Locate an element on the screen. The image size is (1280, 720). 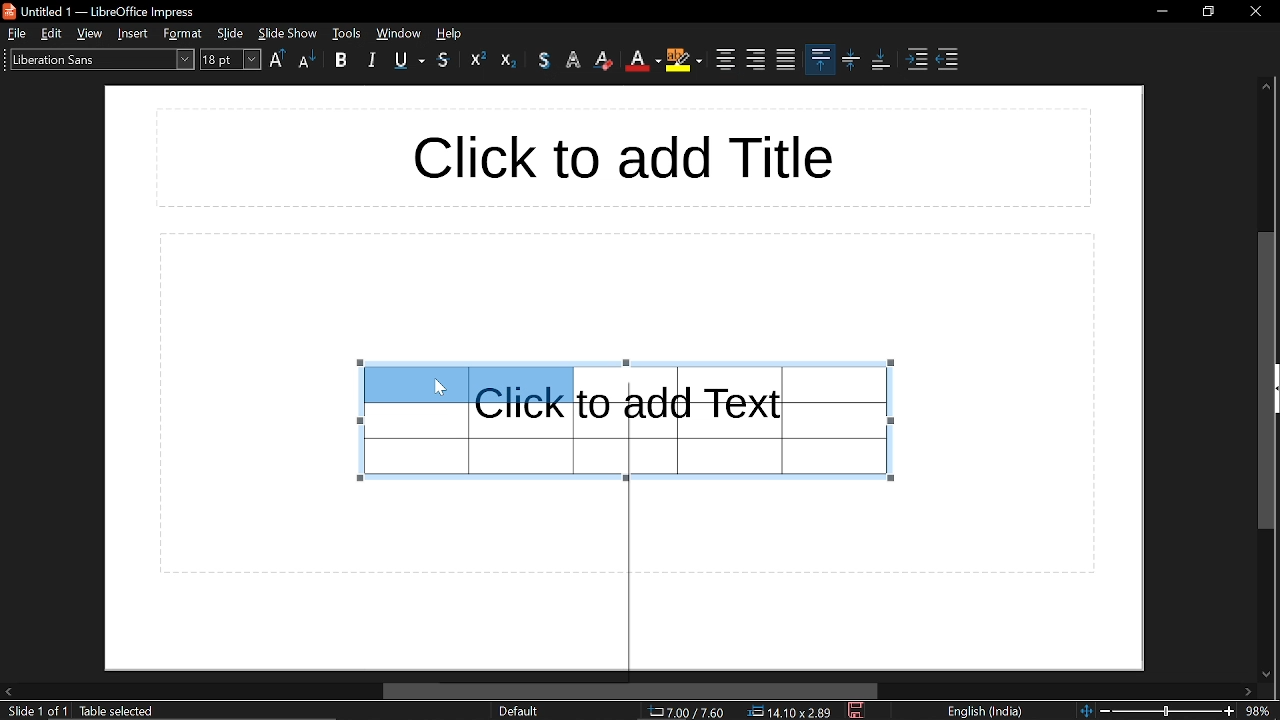
move down is located at coordinates (1268, 673).